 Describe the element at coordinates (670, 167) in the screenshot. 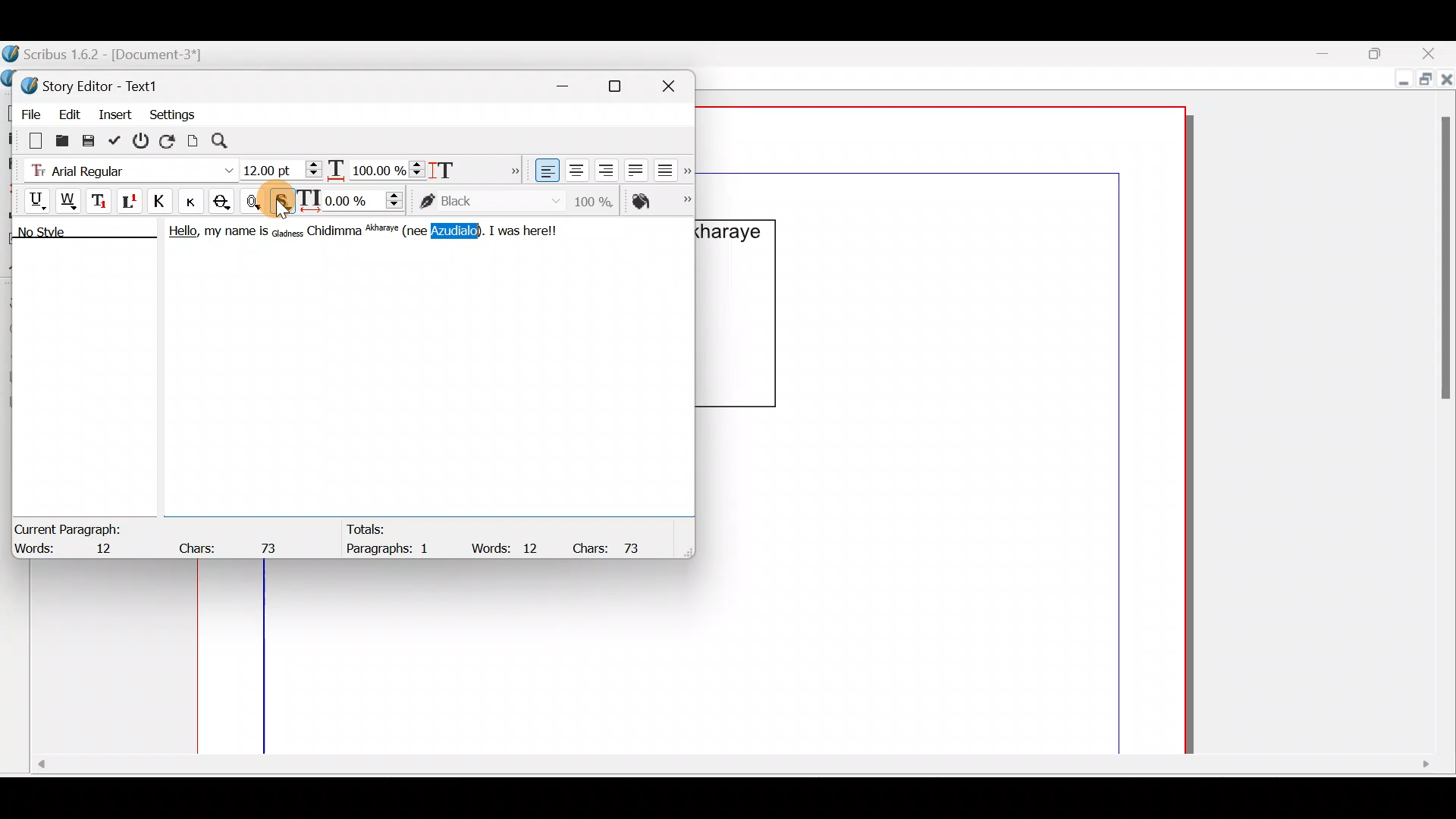

I see `Align text force justified` at that location.